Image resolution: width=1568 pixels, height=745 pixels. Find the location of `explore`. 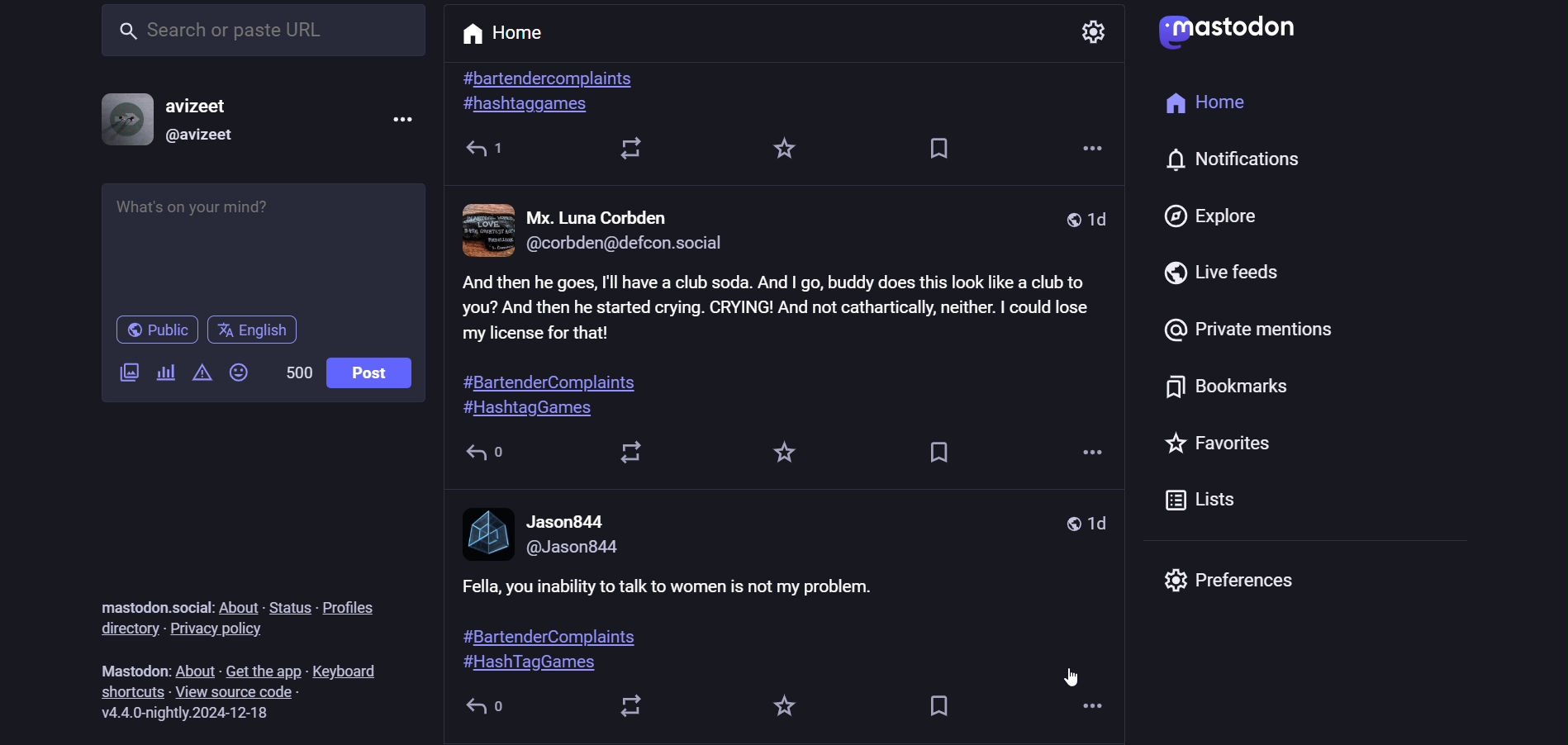

explore is located at coordinates (1217, 215).